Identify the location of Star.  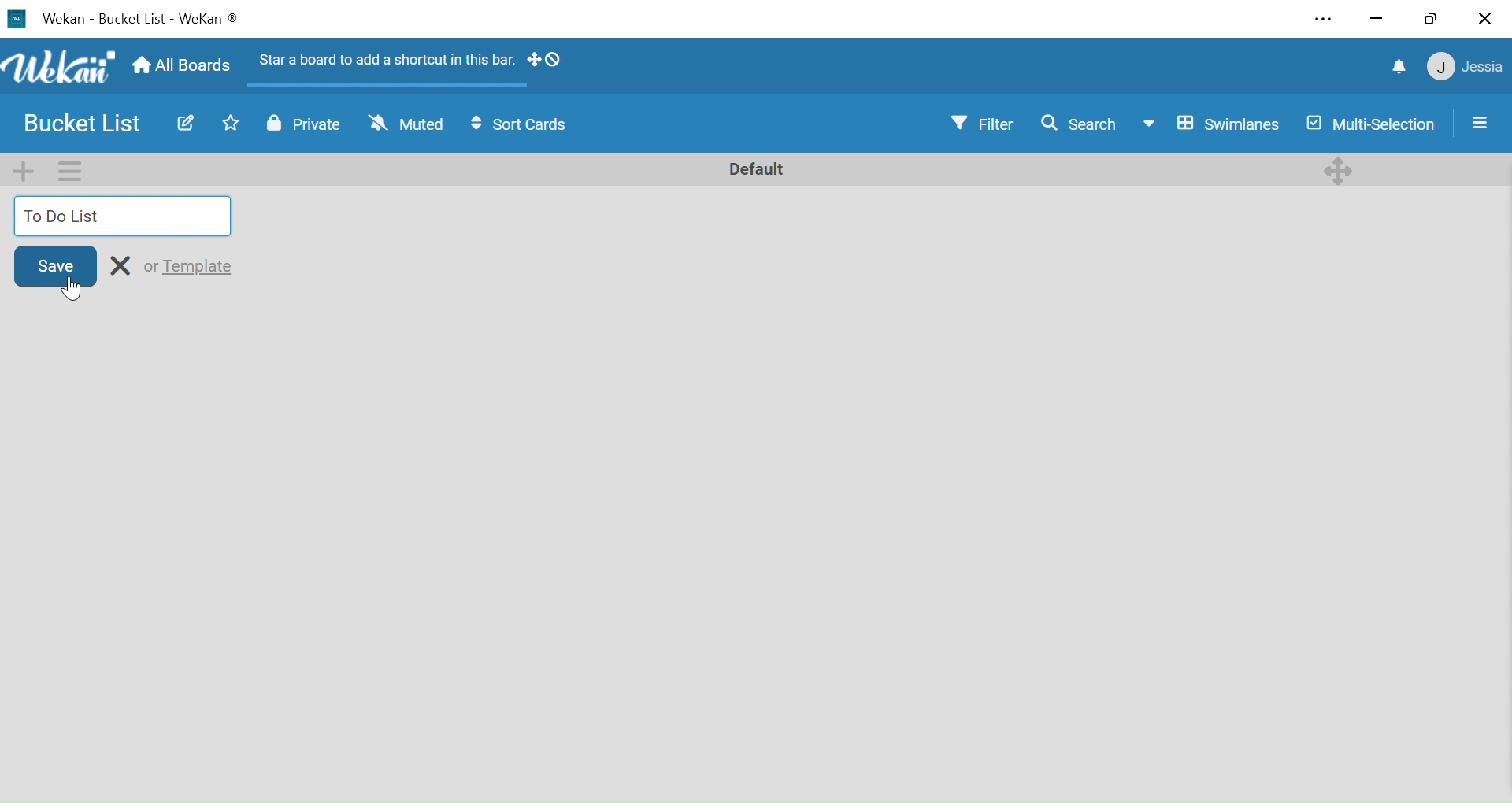
(225, 124).